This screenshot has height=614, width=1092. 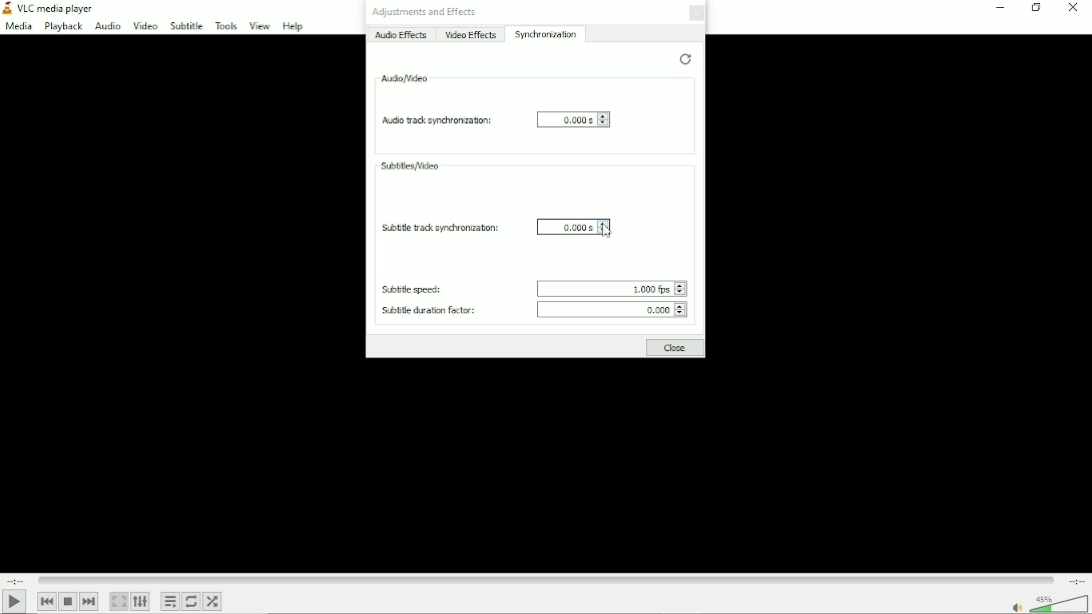 I want to click on restore, so click(x=684, y=59).